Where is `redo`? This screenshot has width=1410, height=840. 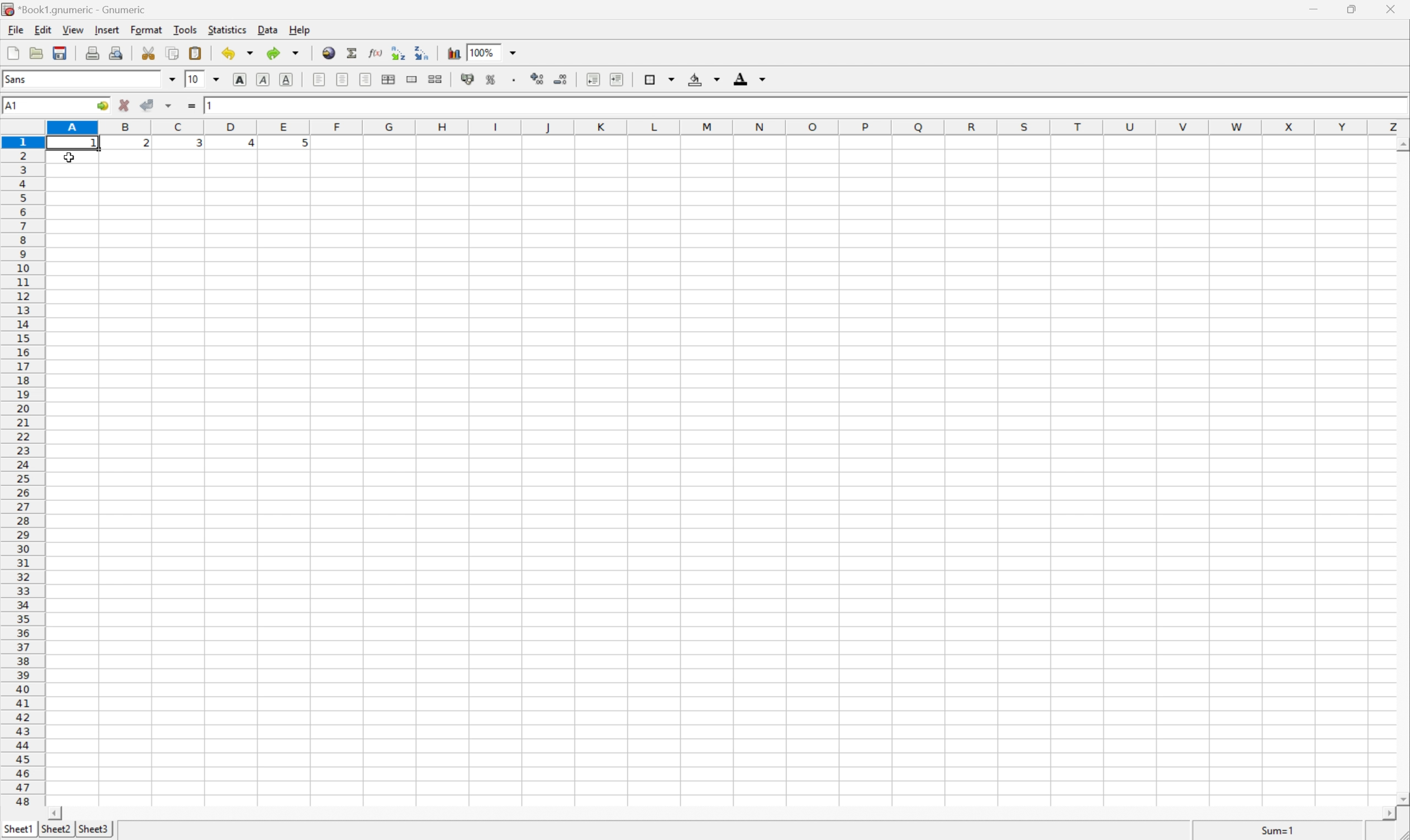
redo is located at coordinates (285, 53).